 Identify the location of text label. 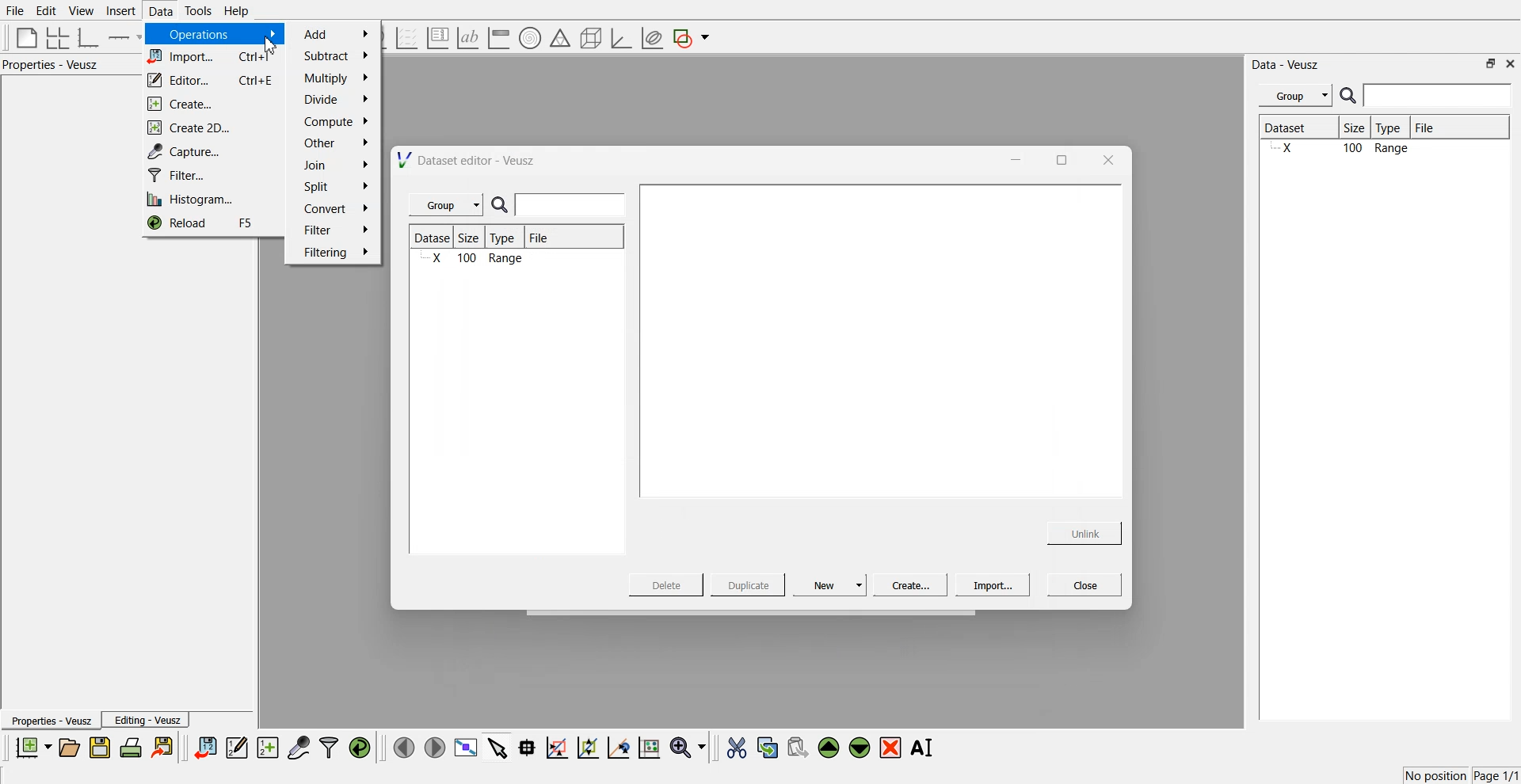
(466, 38).